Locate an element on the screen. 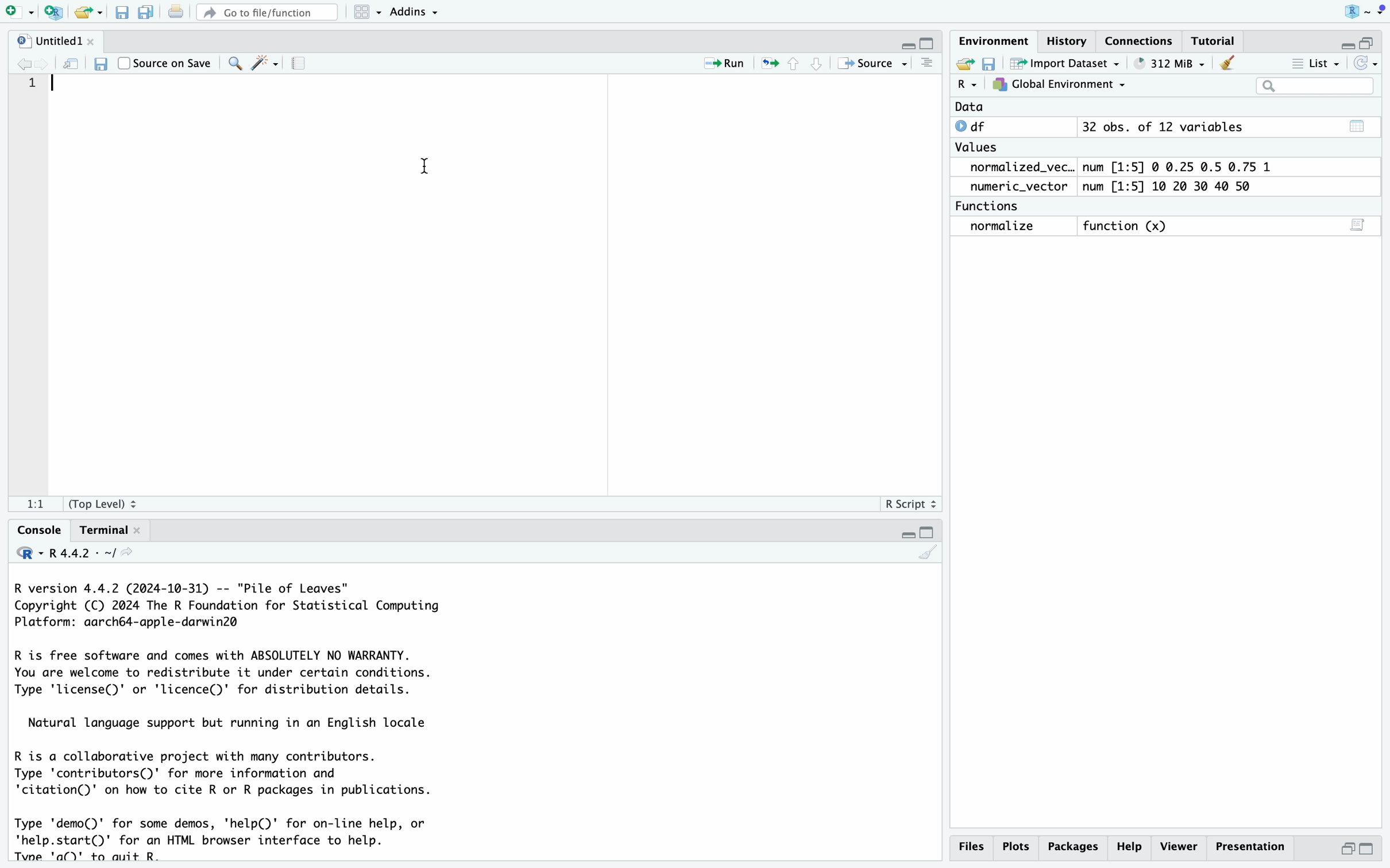  Plots is located at coordinates (1018, 845).